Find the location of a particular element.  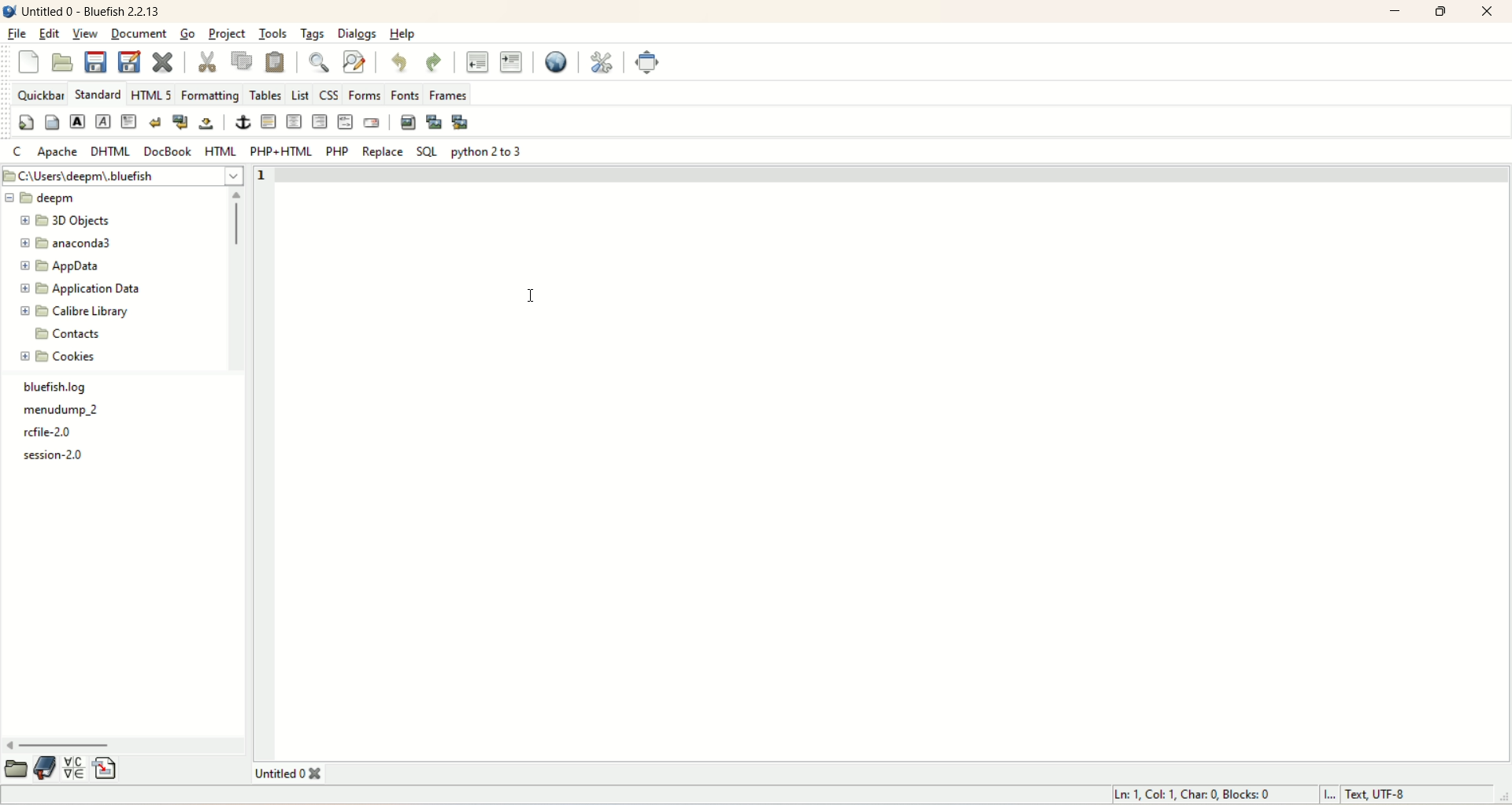

cookies is located at coordinates (61, 358).